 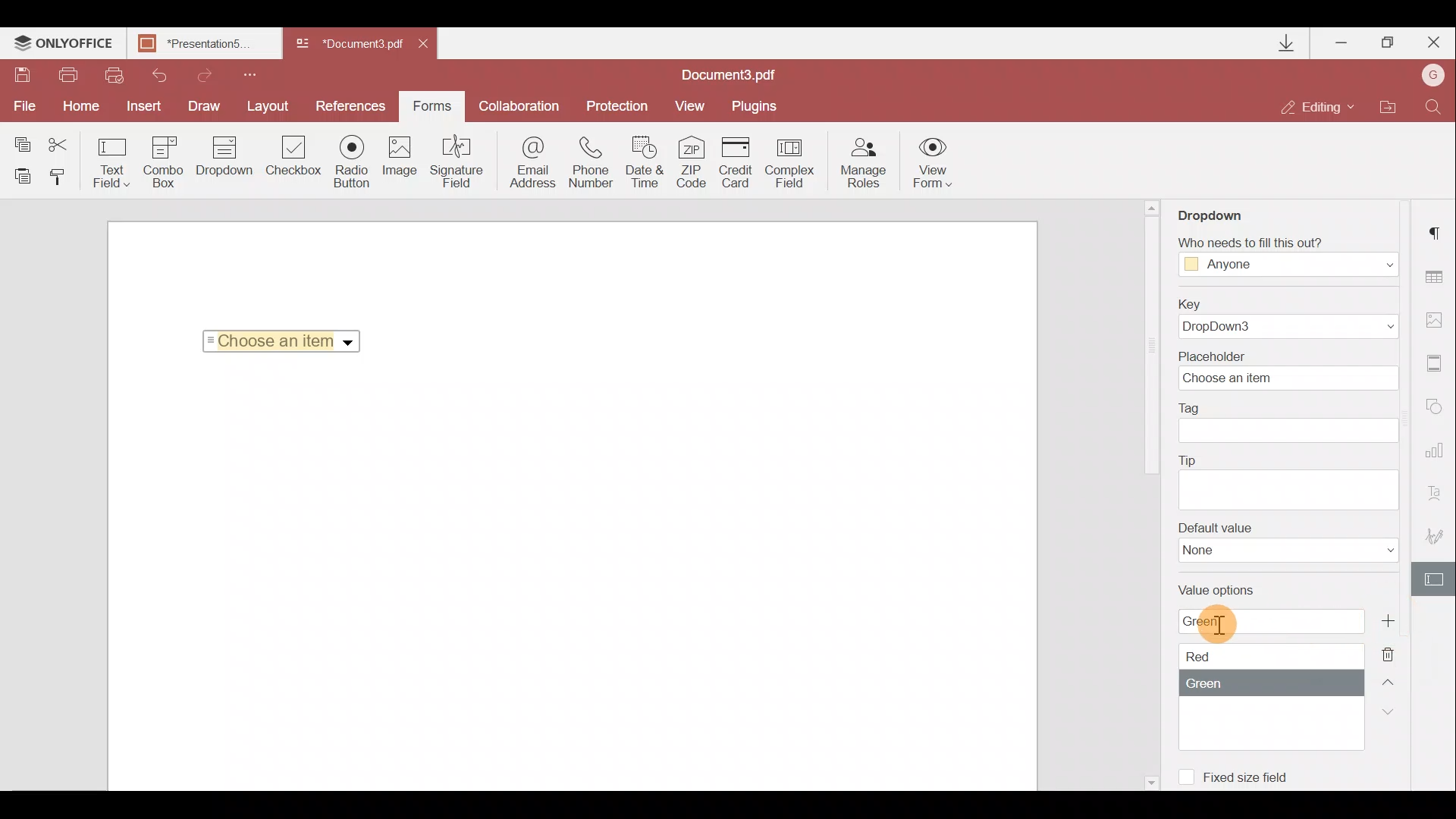 What do you see at coordinates (1319, 108) in the screenshot?
I see `Editing mode` at bounding box center [1319, 108].